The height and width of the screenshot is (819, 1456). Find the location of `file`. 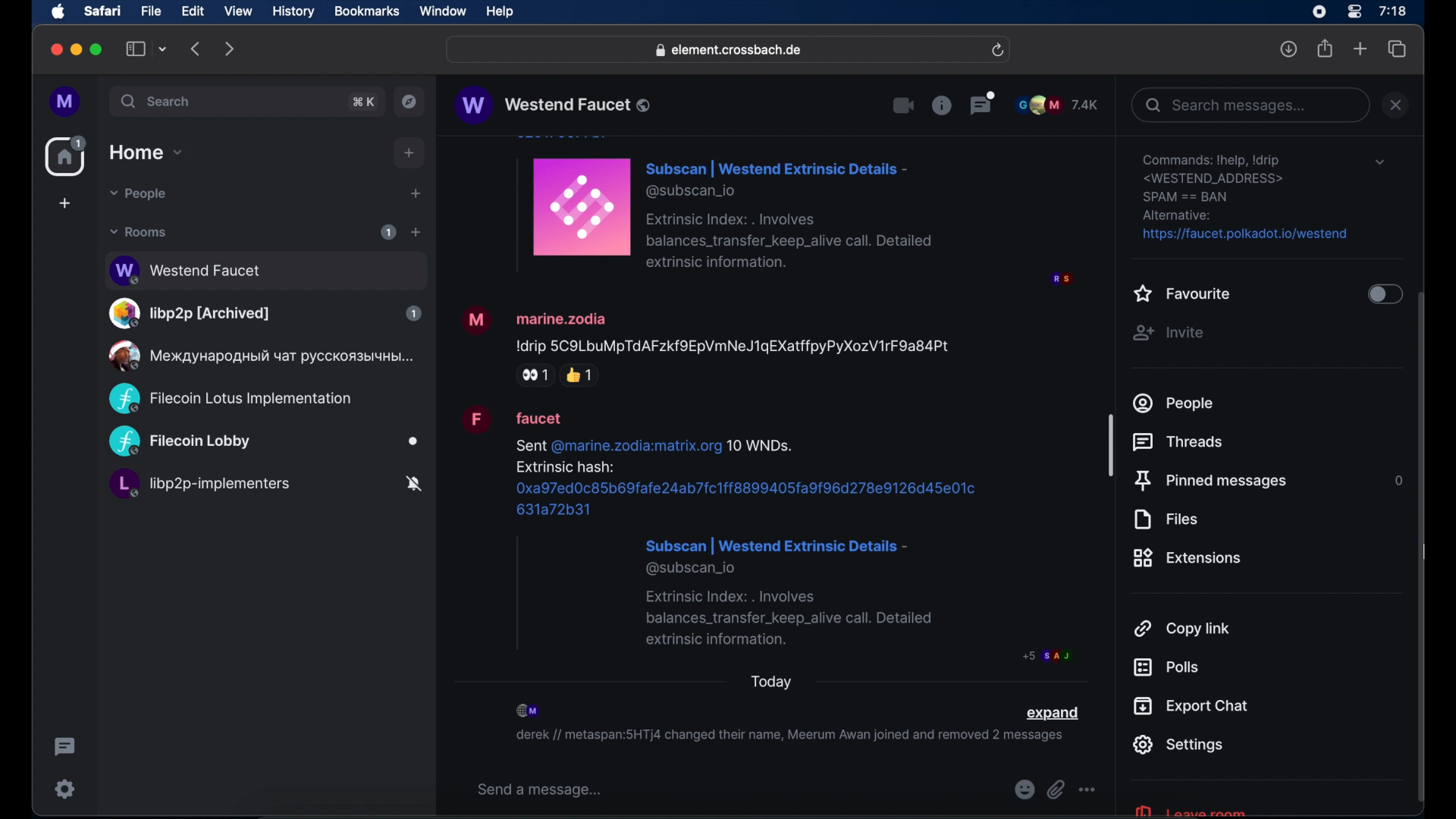

file is located at coordinates (151, 11).